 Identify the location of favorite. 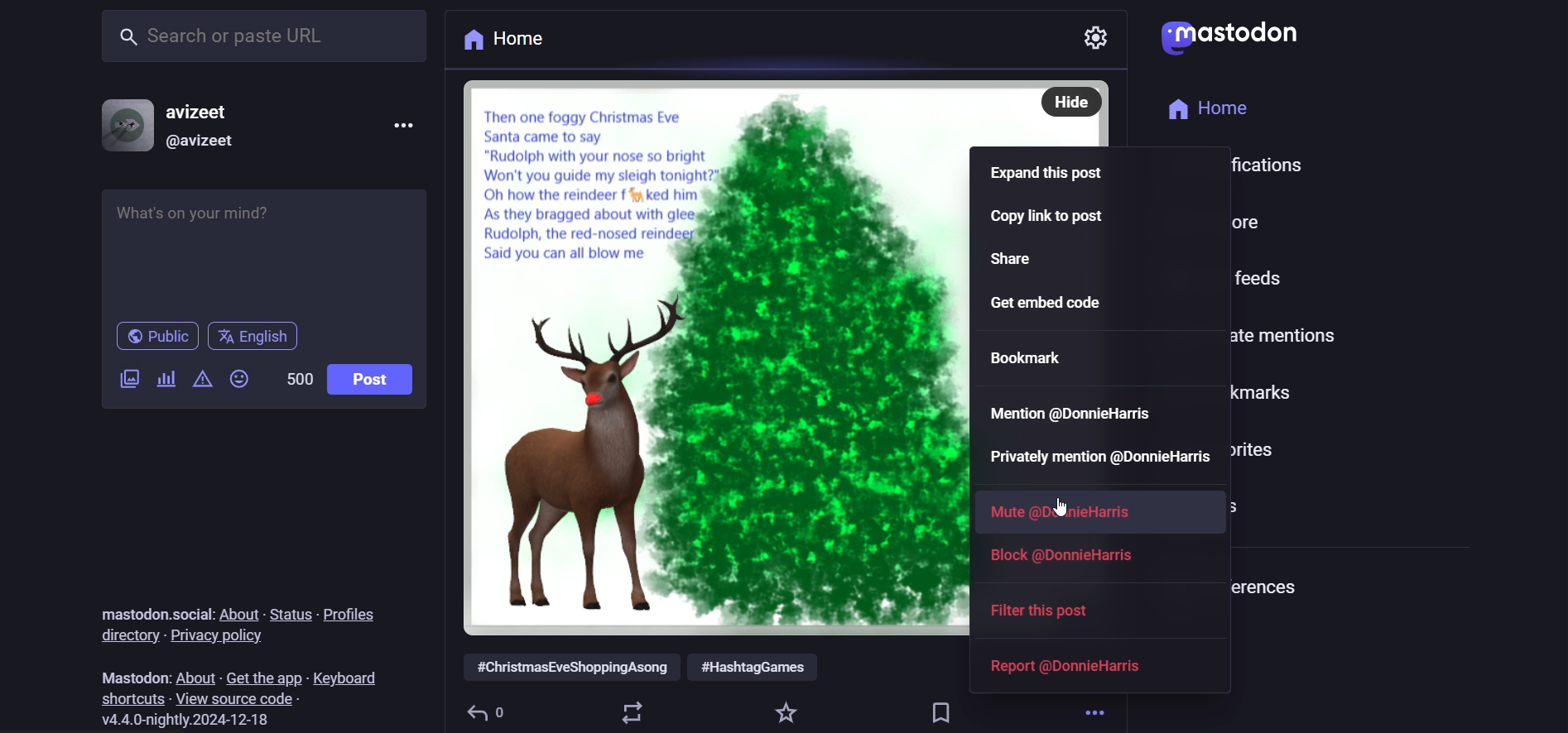
(788, 711).